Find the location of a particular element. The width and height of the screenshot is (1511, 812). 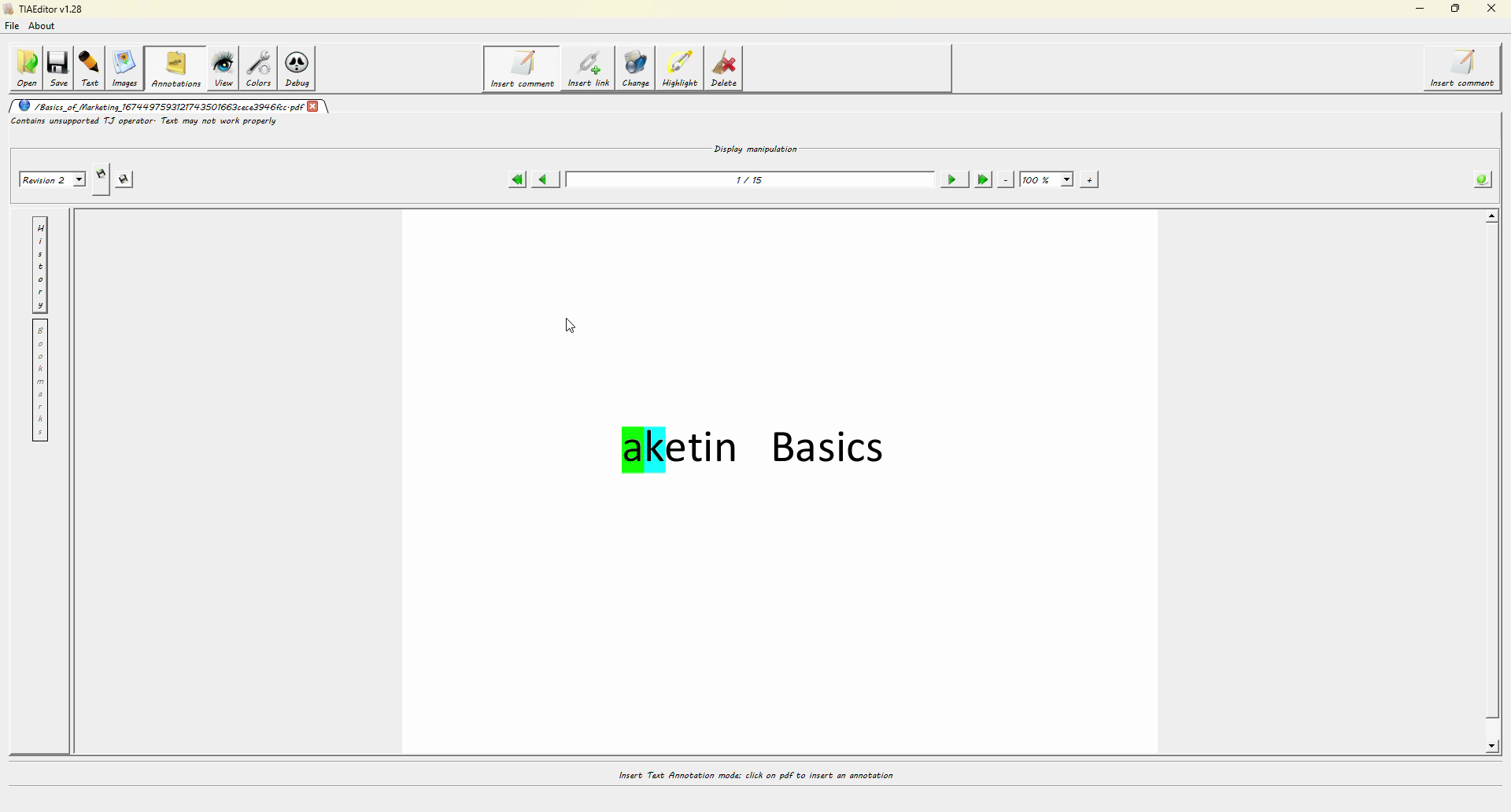

maximize is located at coordinates (1456, 8).